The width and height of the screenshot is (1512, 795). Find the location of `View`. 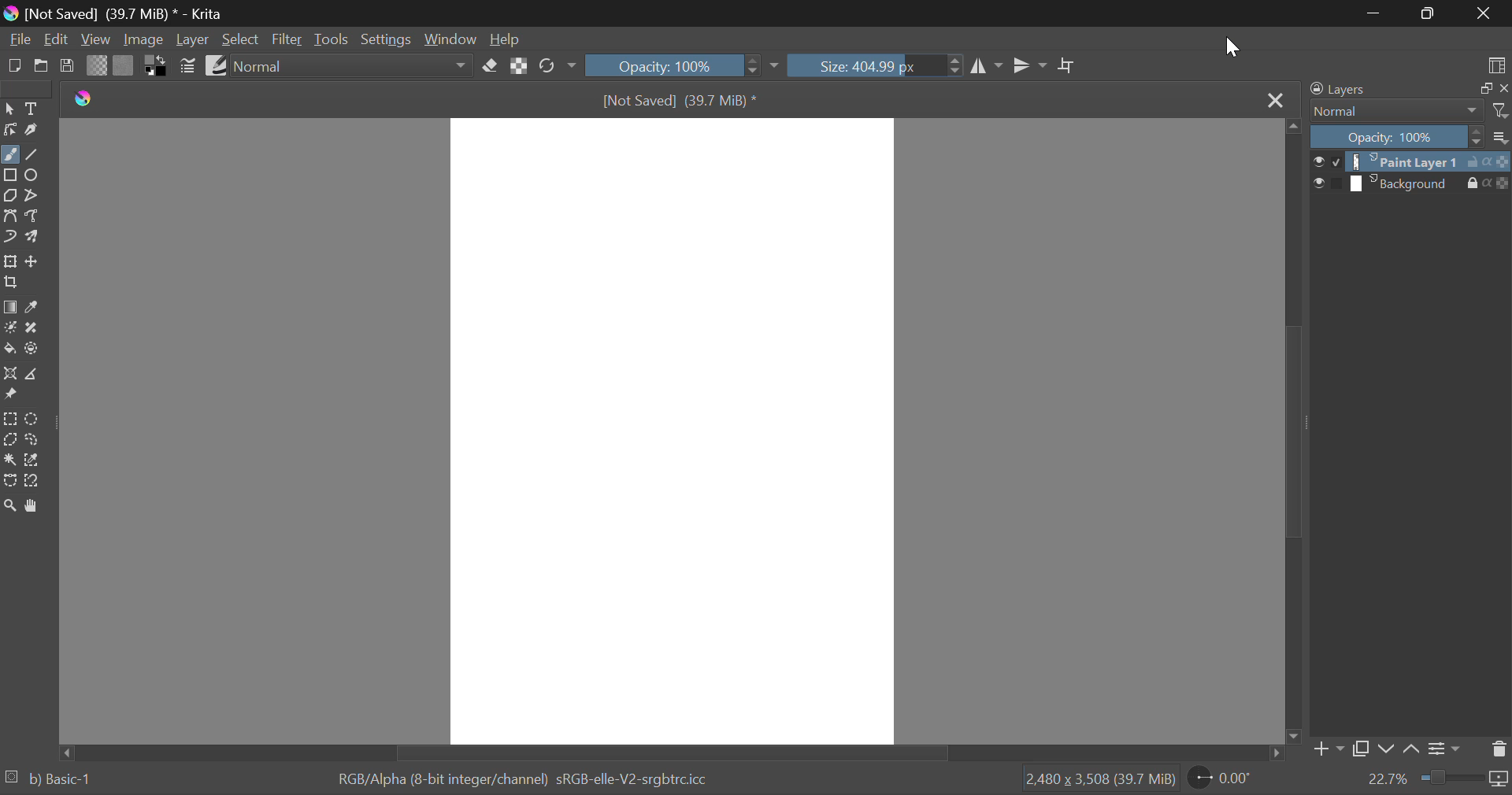

View is located at coordinates (96, 39).